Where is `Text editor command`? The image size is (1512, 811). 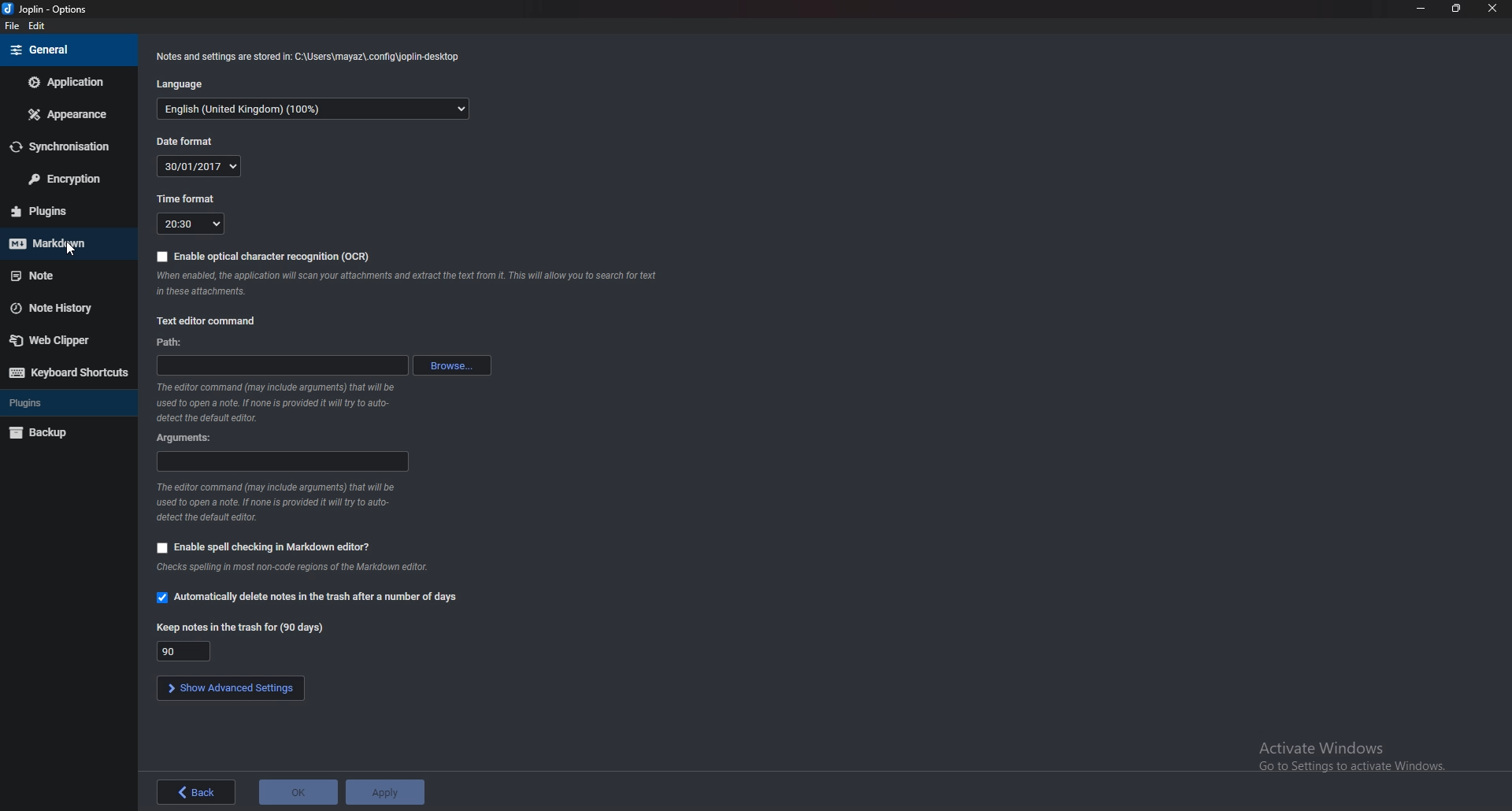 Text editor command is located at coordinates (203, 322).